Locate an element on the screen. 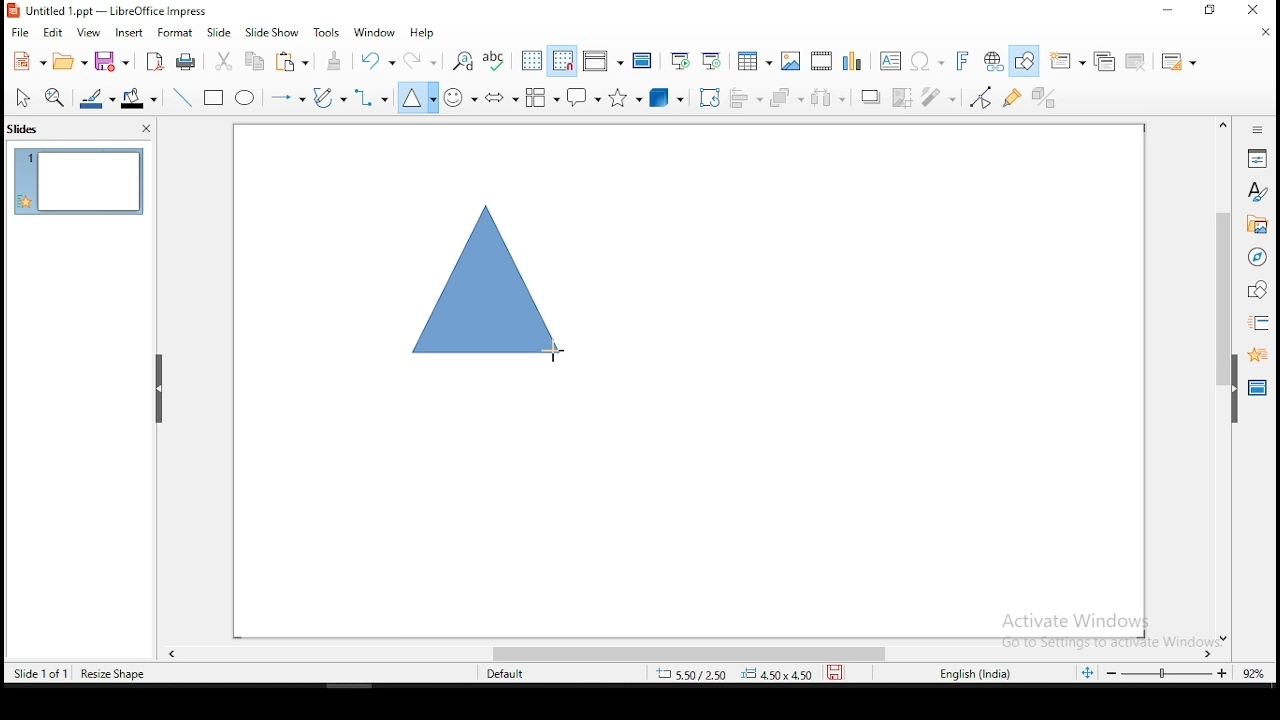 The image size is (1280, 720). scroll bar is located at coordinates (691, 655).